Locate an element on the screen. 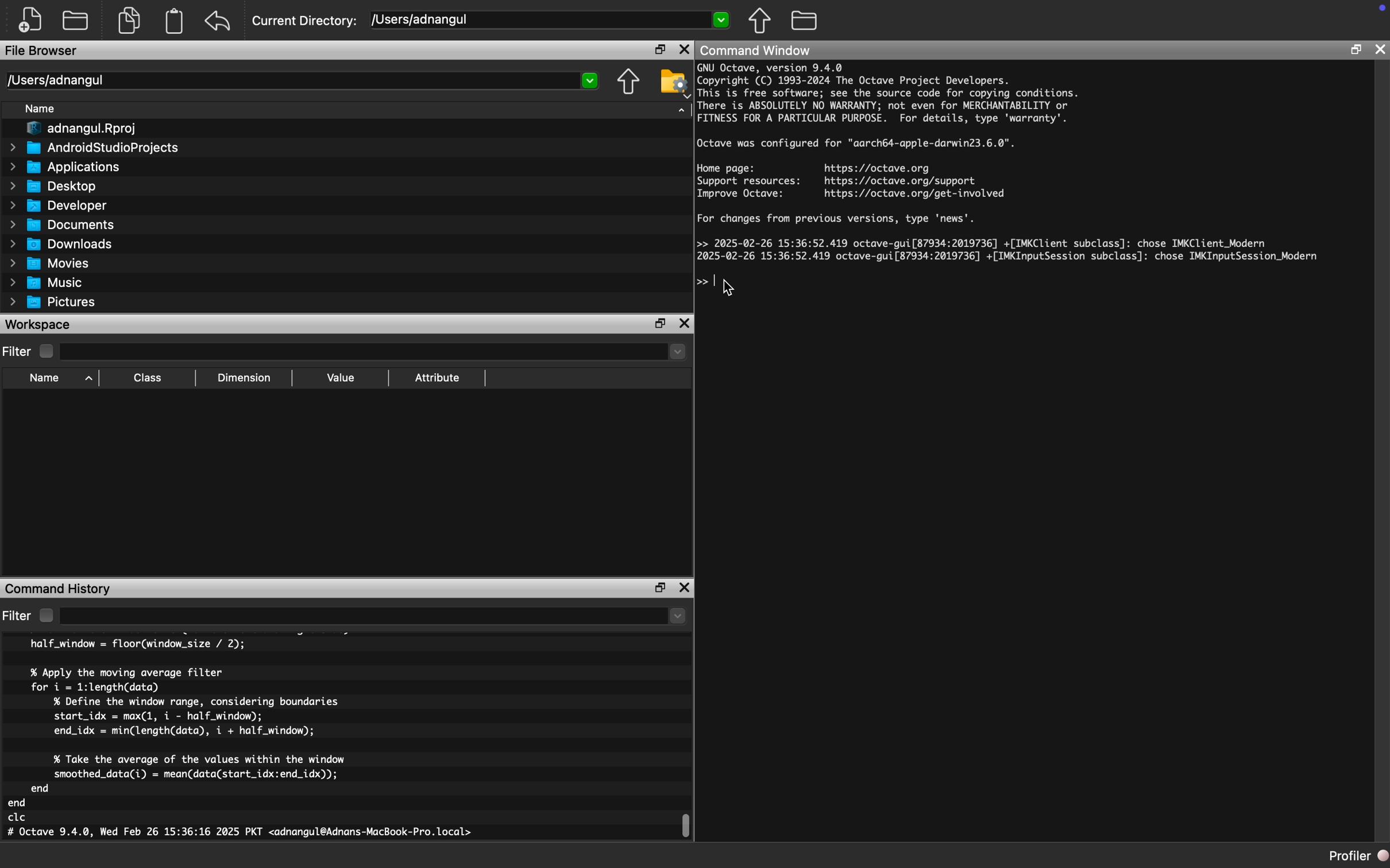  Folder Settings is located at coordinates (674, 83).